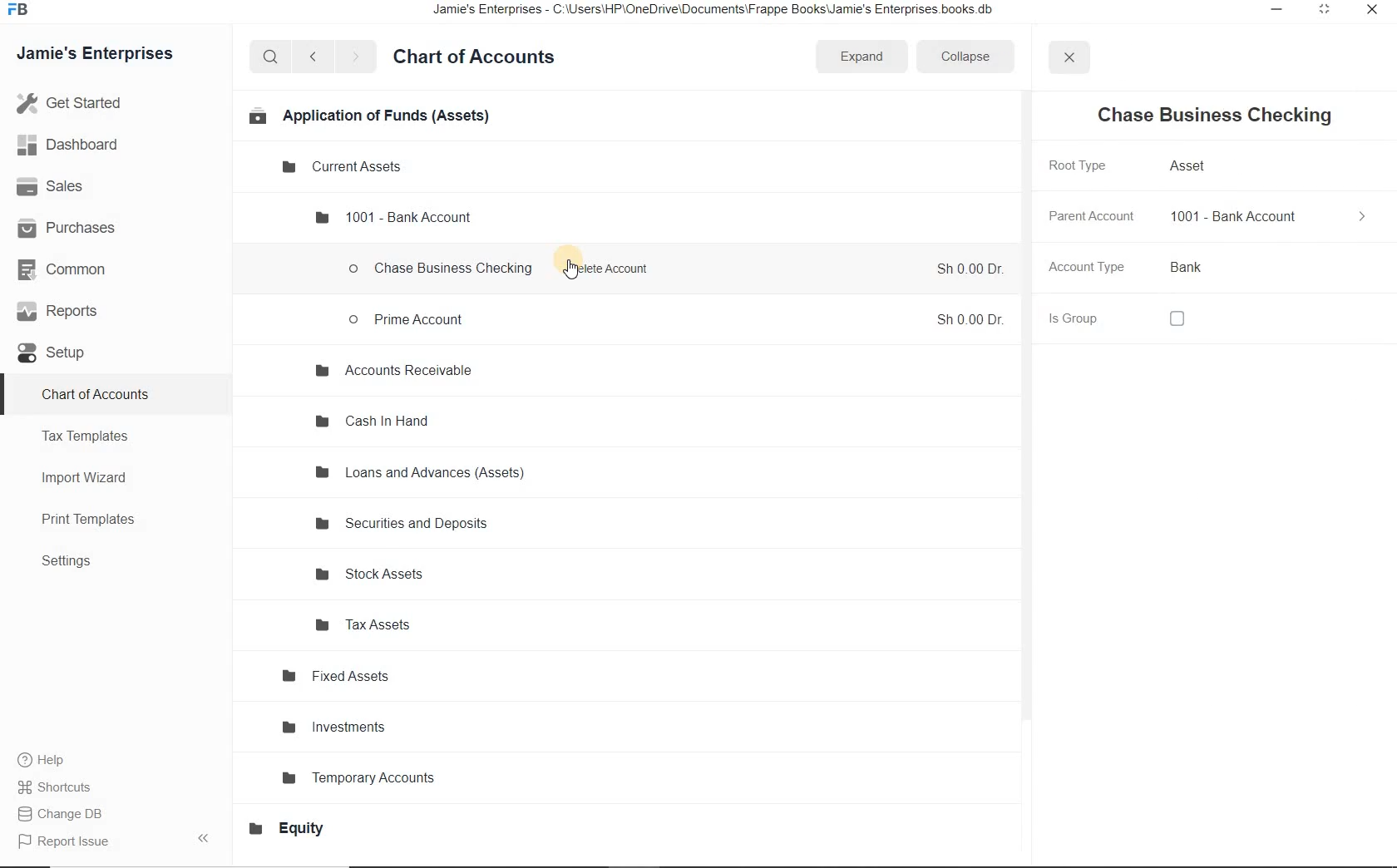  What do you see at coordinates (97, 520) in the screenshot?
I see `Print Templates` at bounding box center [97, 520].